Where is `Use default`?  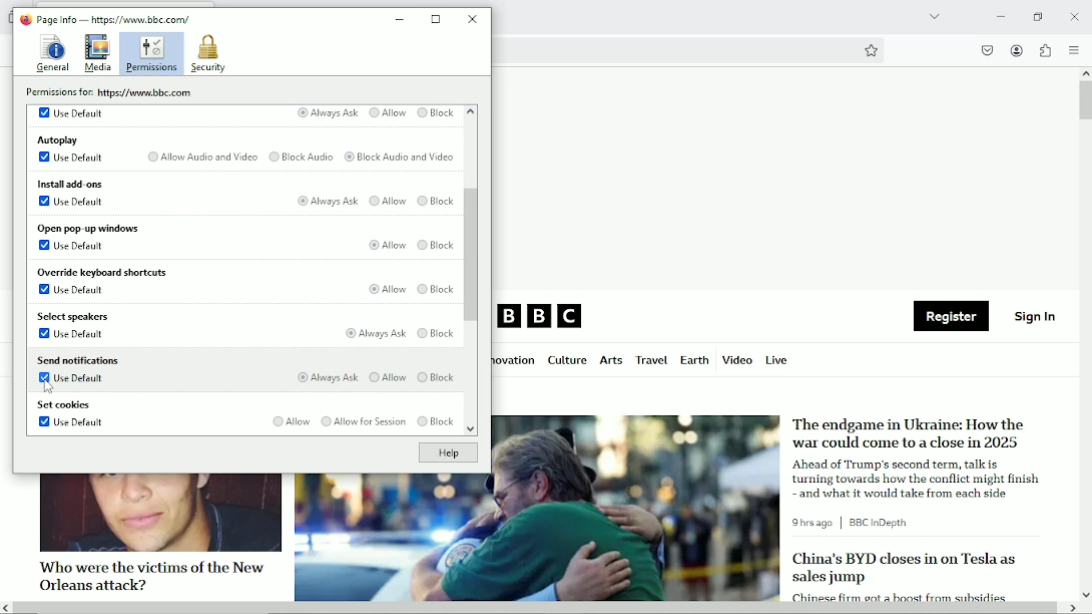
Use default is located at coordinates (71, 245).